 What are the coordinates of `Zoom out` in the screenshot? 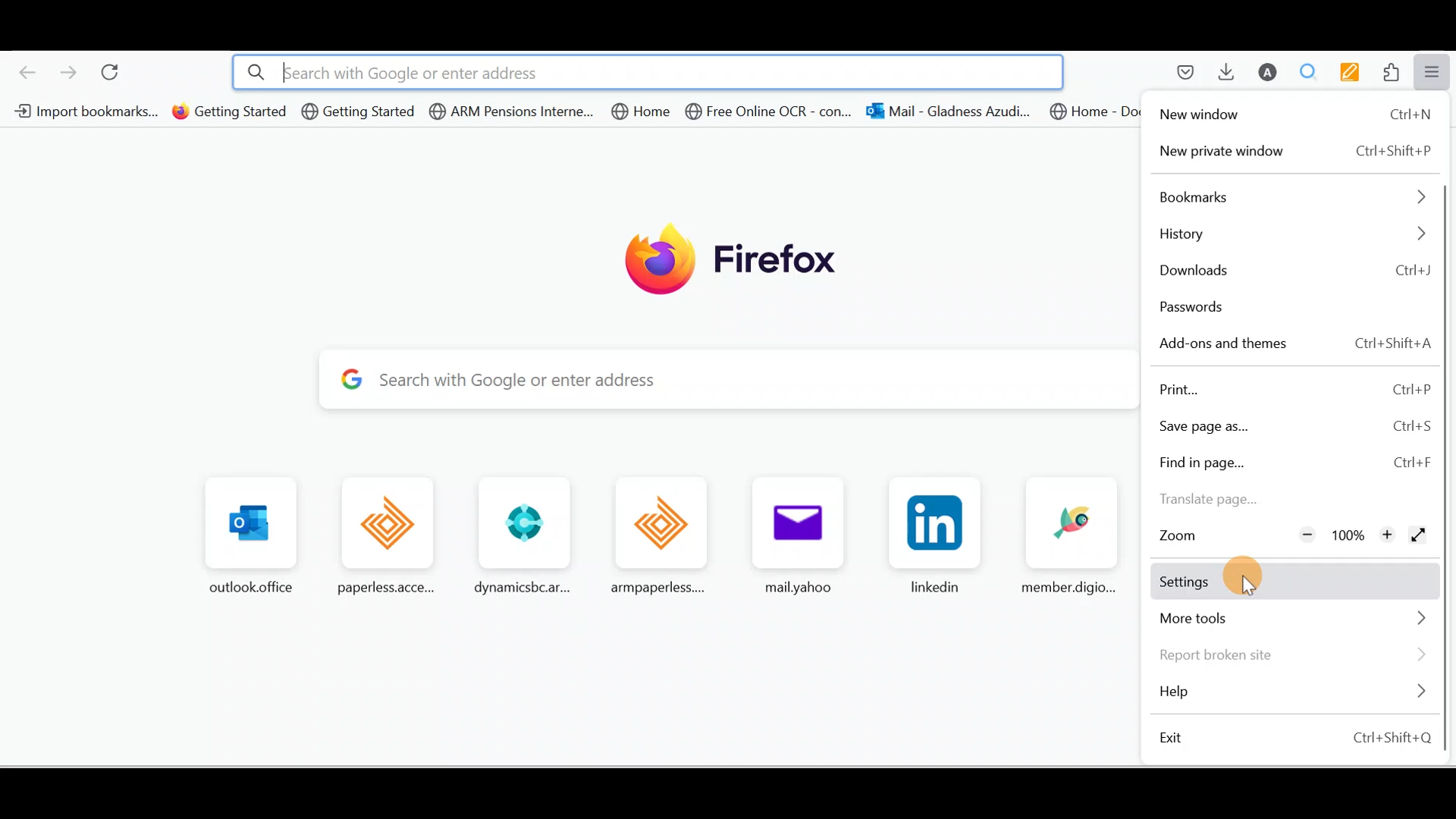 It's located at (1308, 535).